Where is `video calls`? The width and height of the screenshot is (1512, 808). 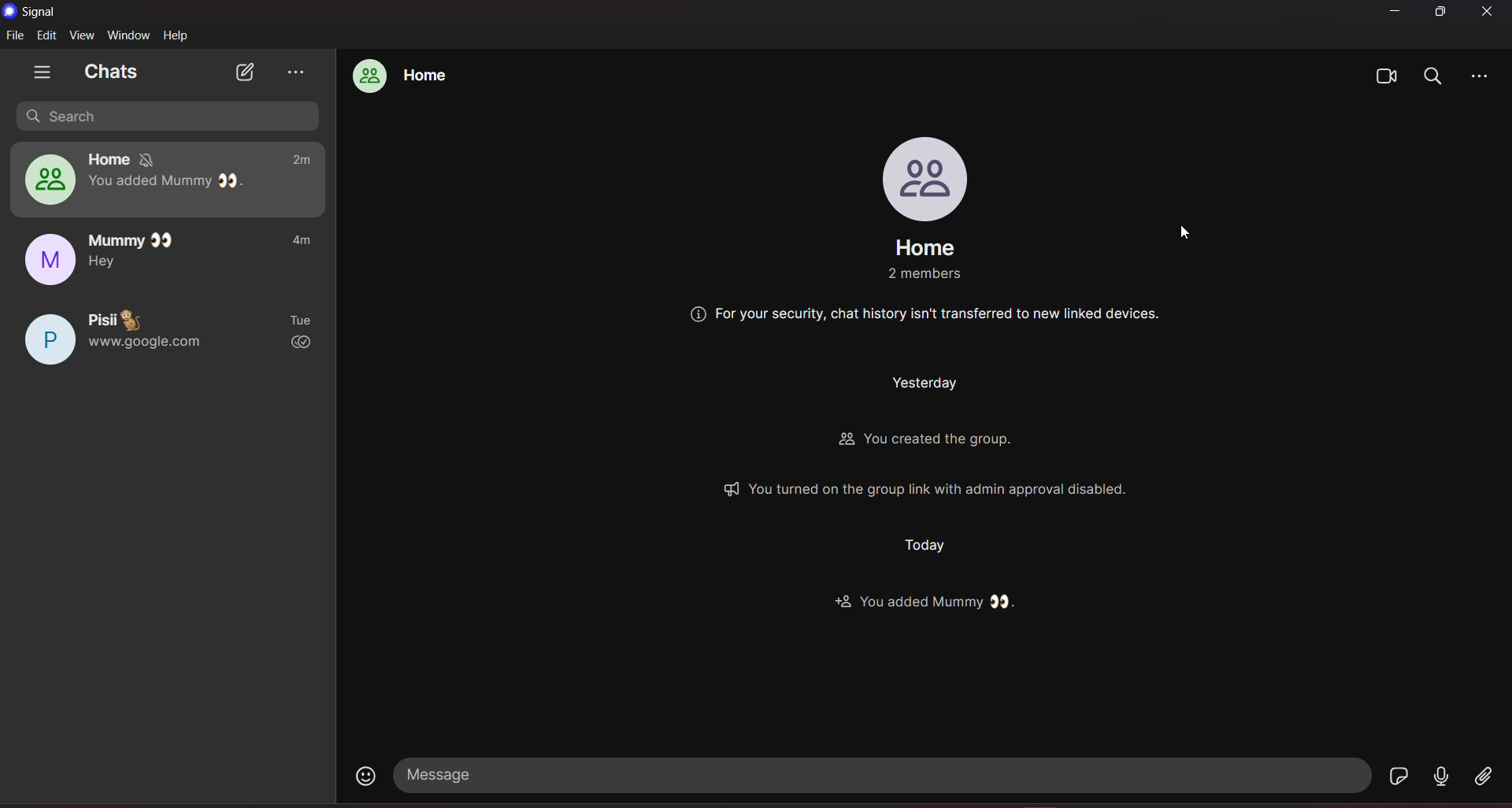 video calls is located at coordinates (1381, 76).